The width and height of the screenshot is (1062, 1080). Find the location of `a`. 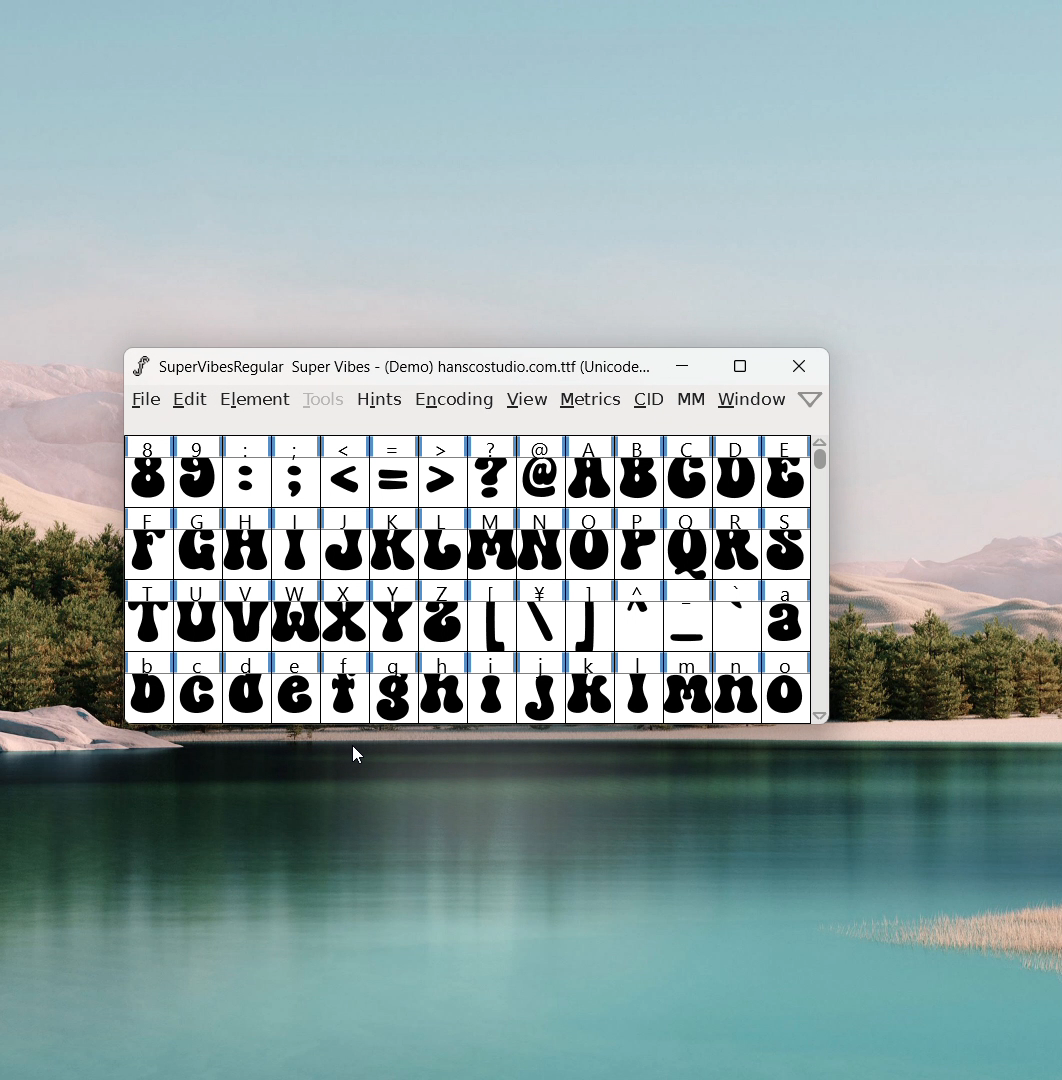

a is located at coordinates (785, 616).